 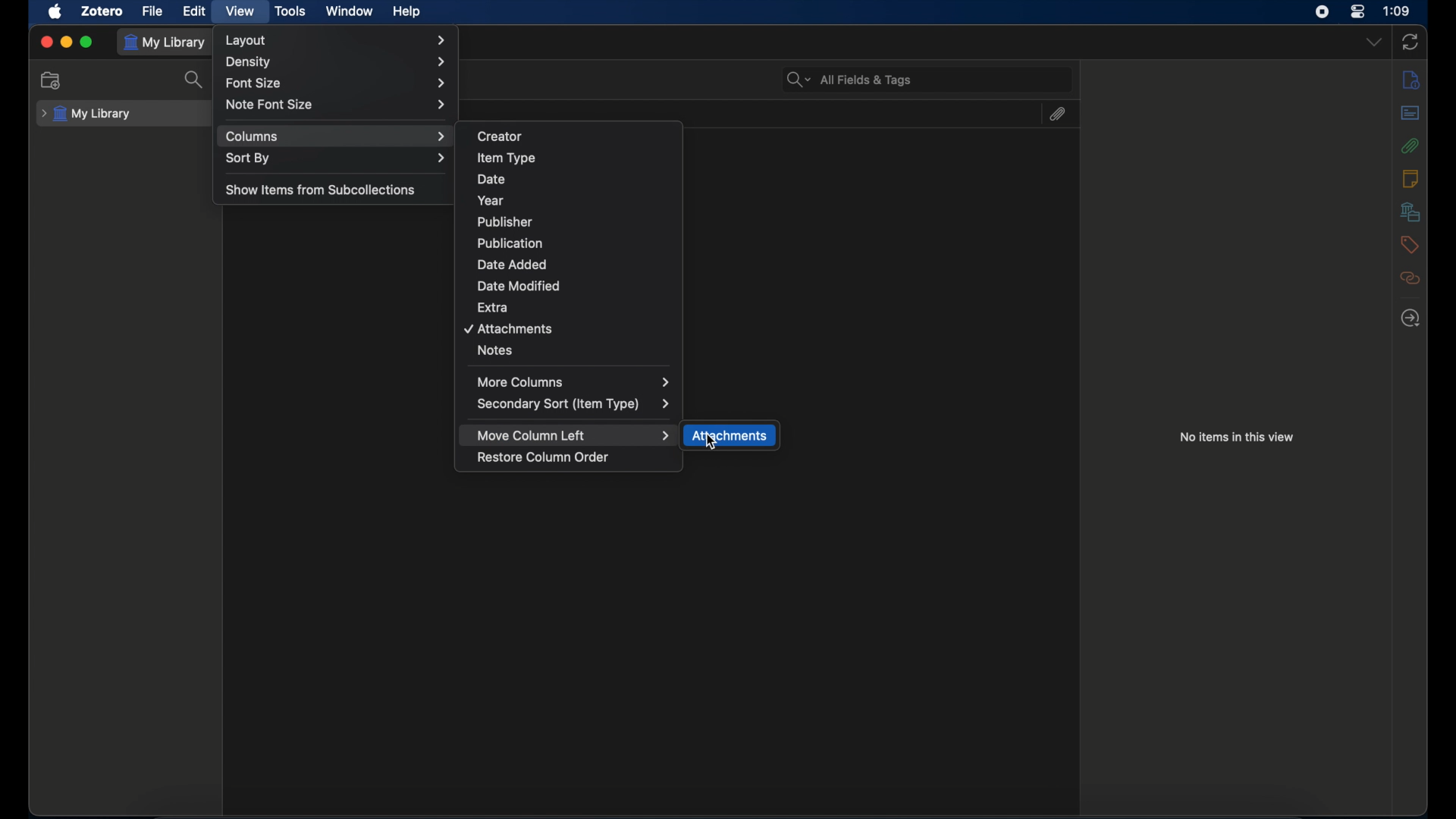 What do you see at coordinates (1238, 437) in the screenshot?
I see `no items in this view` at bounding box center [1238, 437].